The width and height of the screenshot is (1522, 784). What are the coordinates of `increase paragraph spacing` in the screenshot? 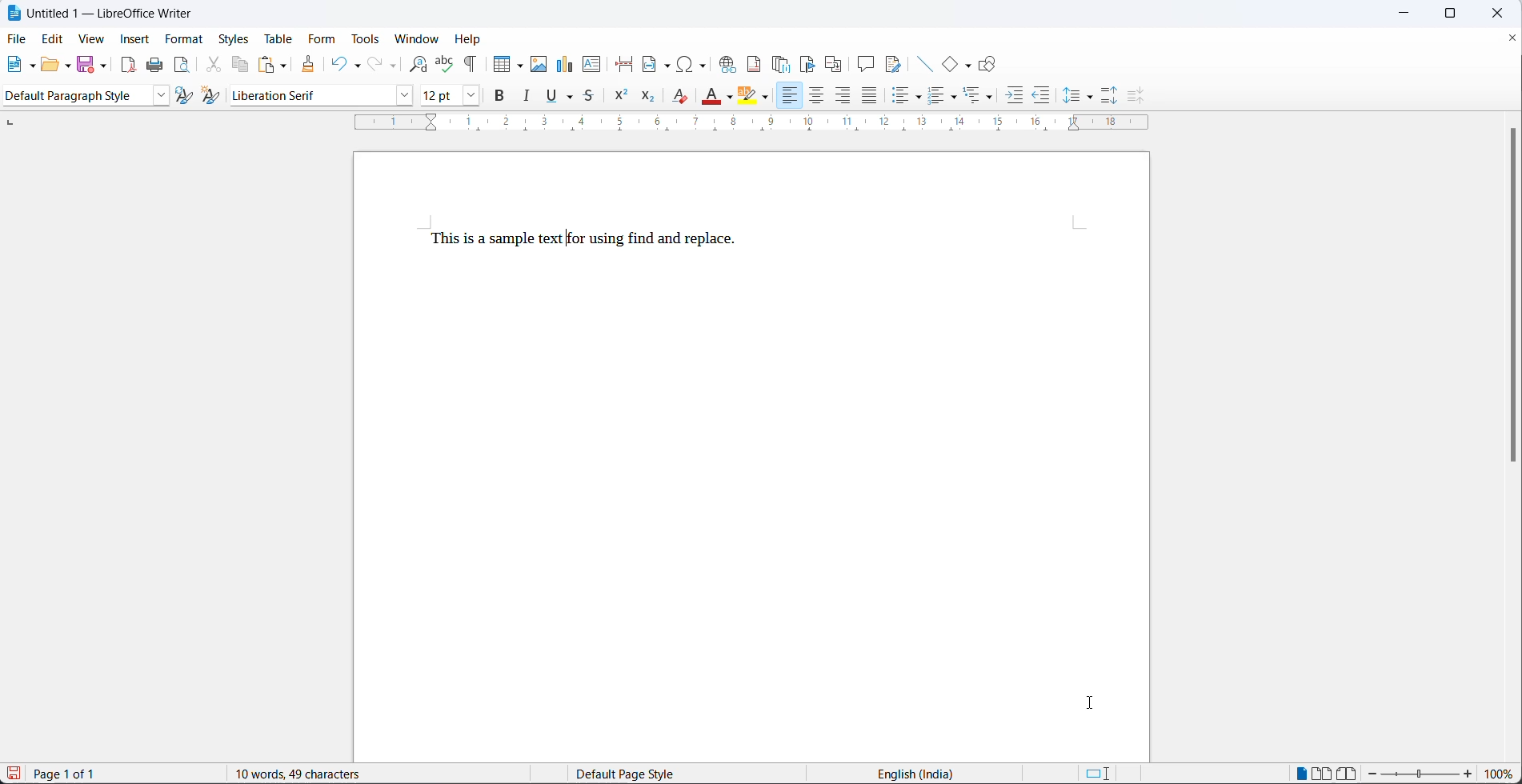 It's located at (1110, 94).